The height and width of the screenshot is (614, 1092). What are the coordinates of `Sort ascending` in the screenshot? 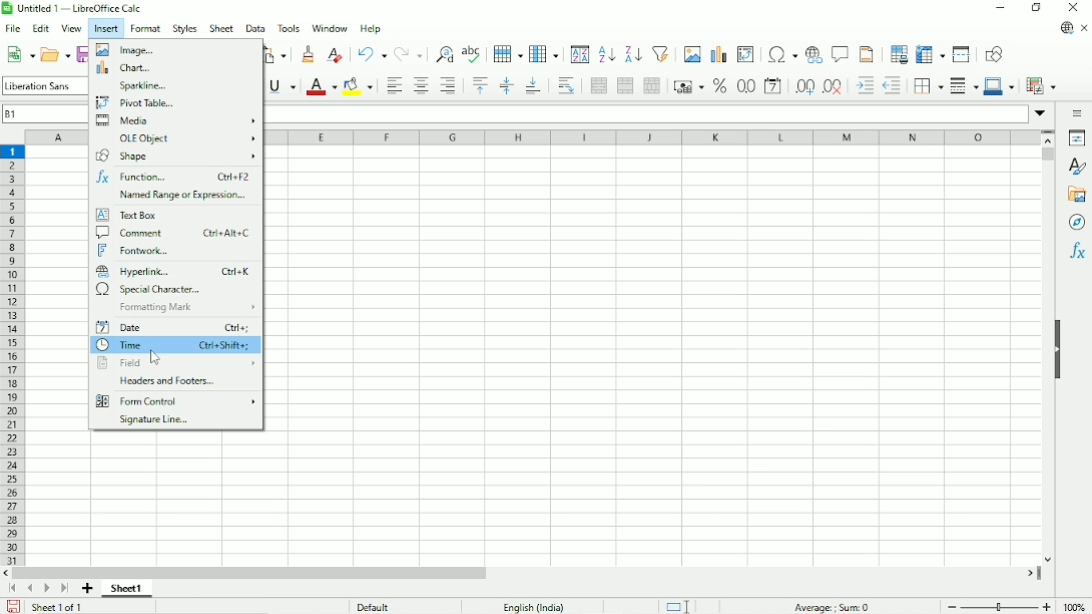 It's located at (606, 54).